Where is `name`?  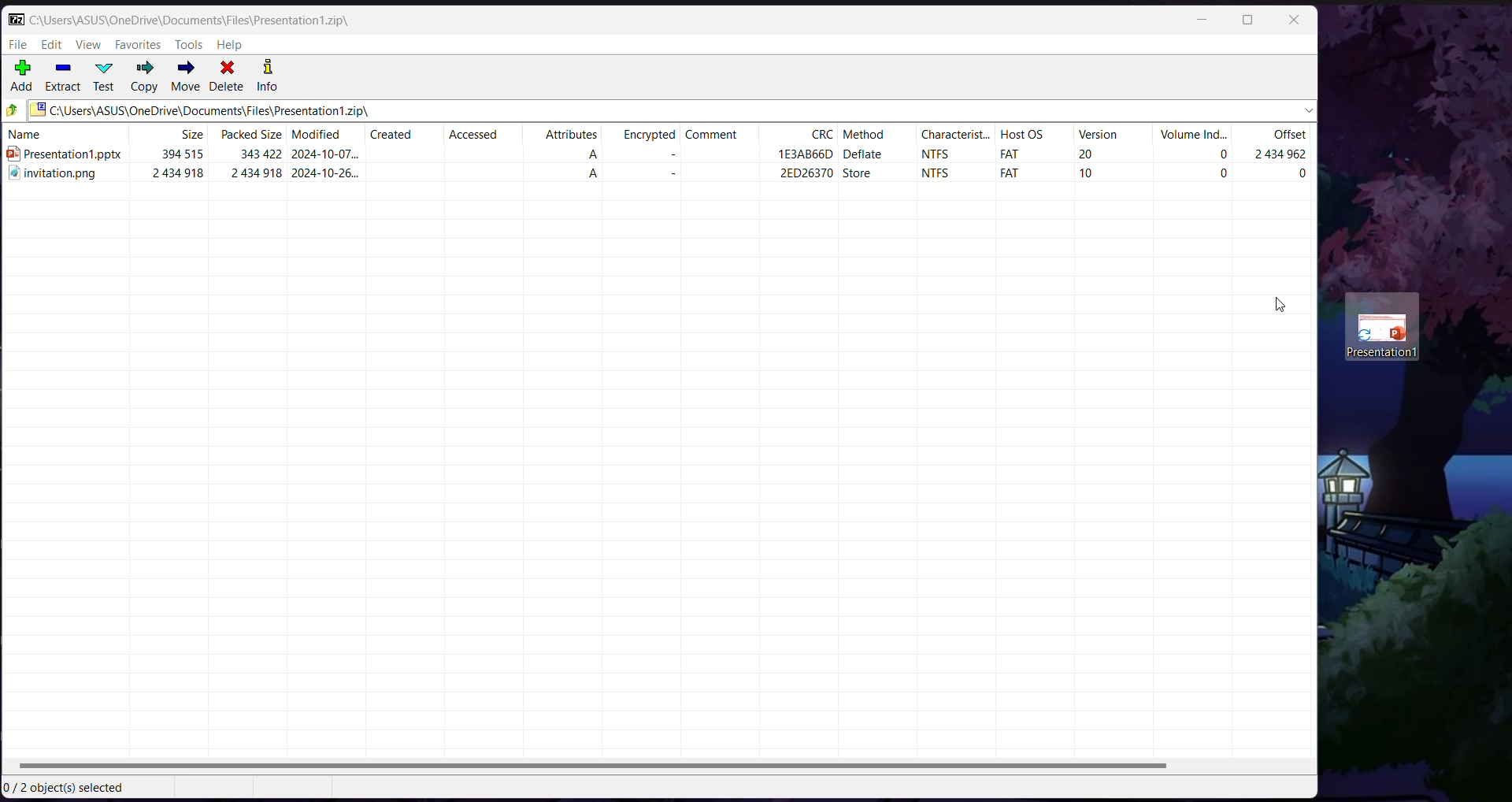 name is located at coordinates (35, 134).